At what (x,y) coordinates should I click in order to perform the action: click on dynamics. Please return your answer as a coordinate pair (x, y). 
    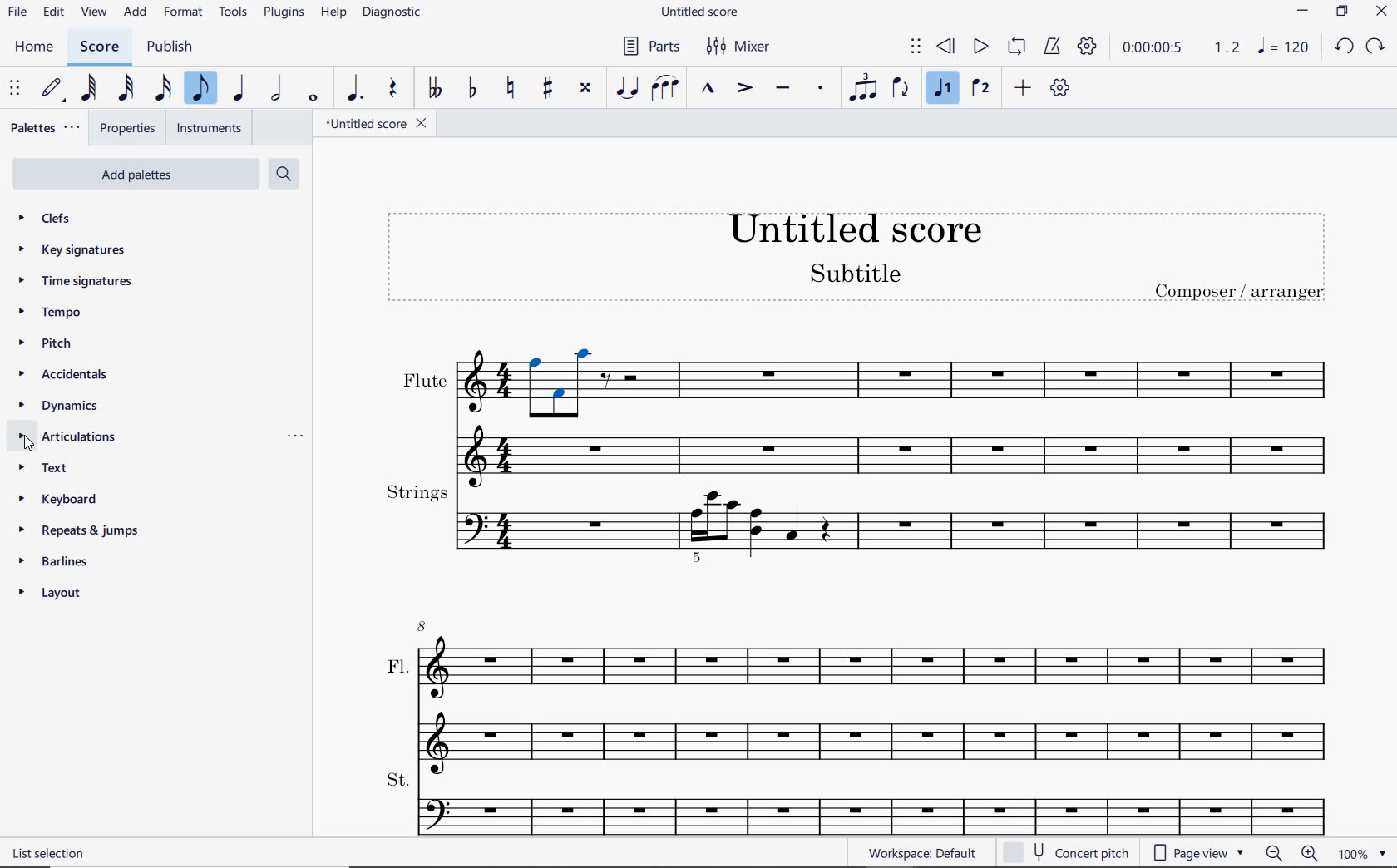
    Looking at the image, I should click on (58, 407).